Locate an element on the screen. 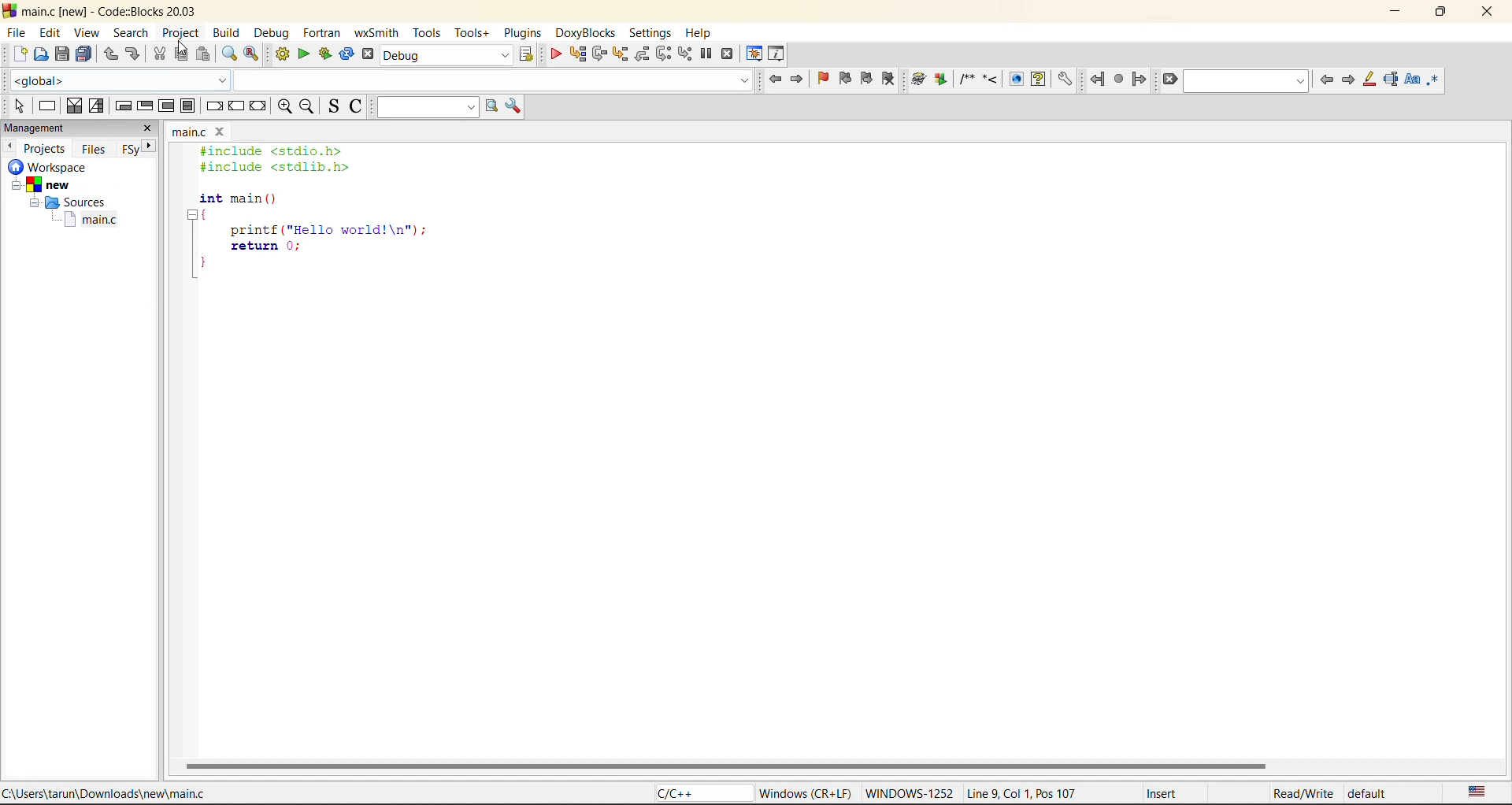 The image size is (1512, 805). Windows (CR + LF) is located at coordinates (806, 792).